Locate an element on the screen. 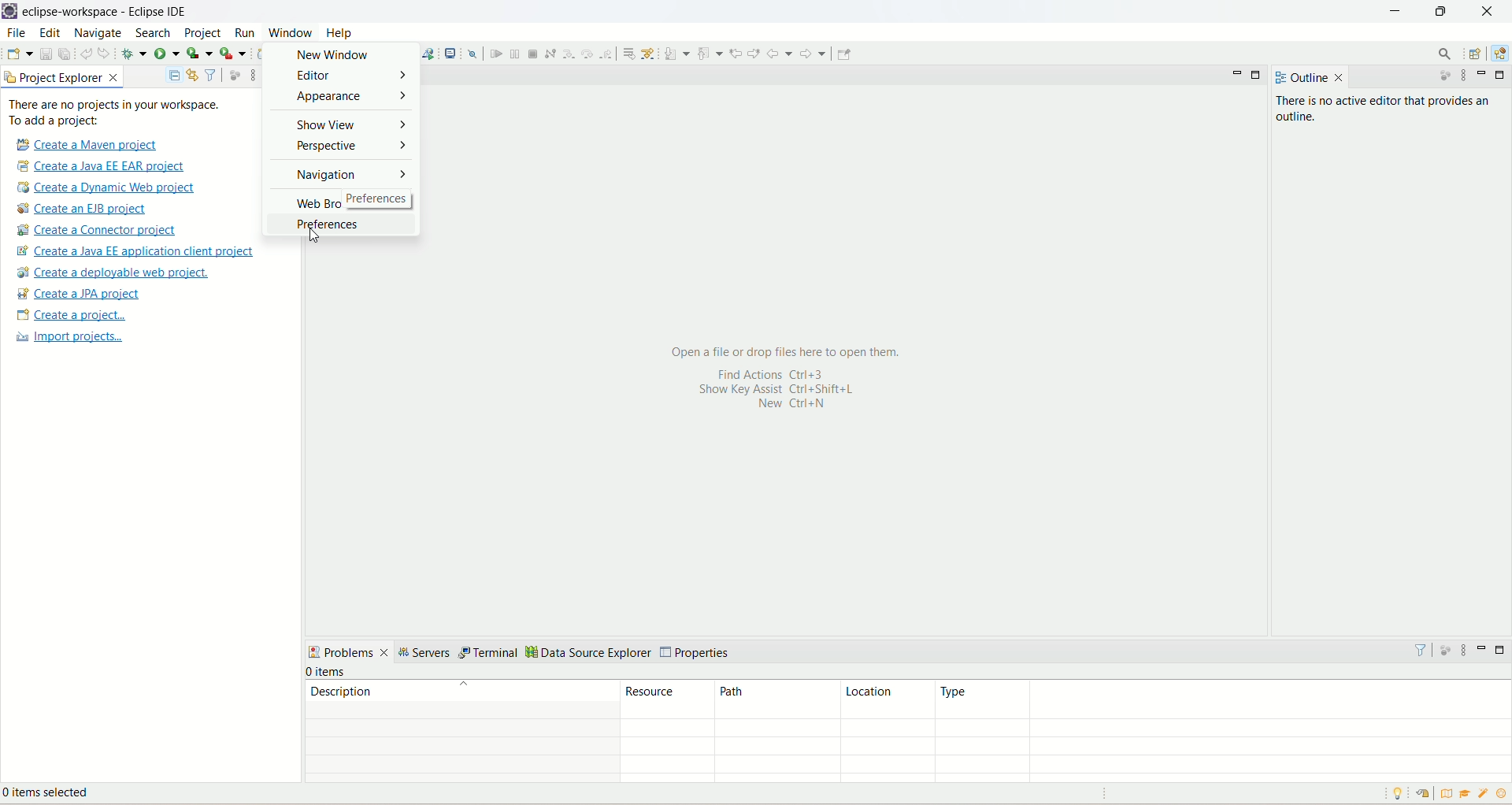 This screenshot has height=805, width=1512. There is no active editor that provides outline. is located at coordinates (1388, 110).